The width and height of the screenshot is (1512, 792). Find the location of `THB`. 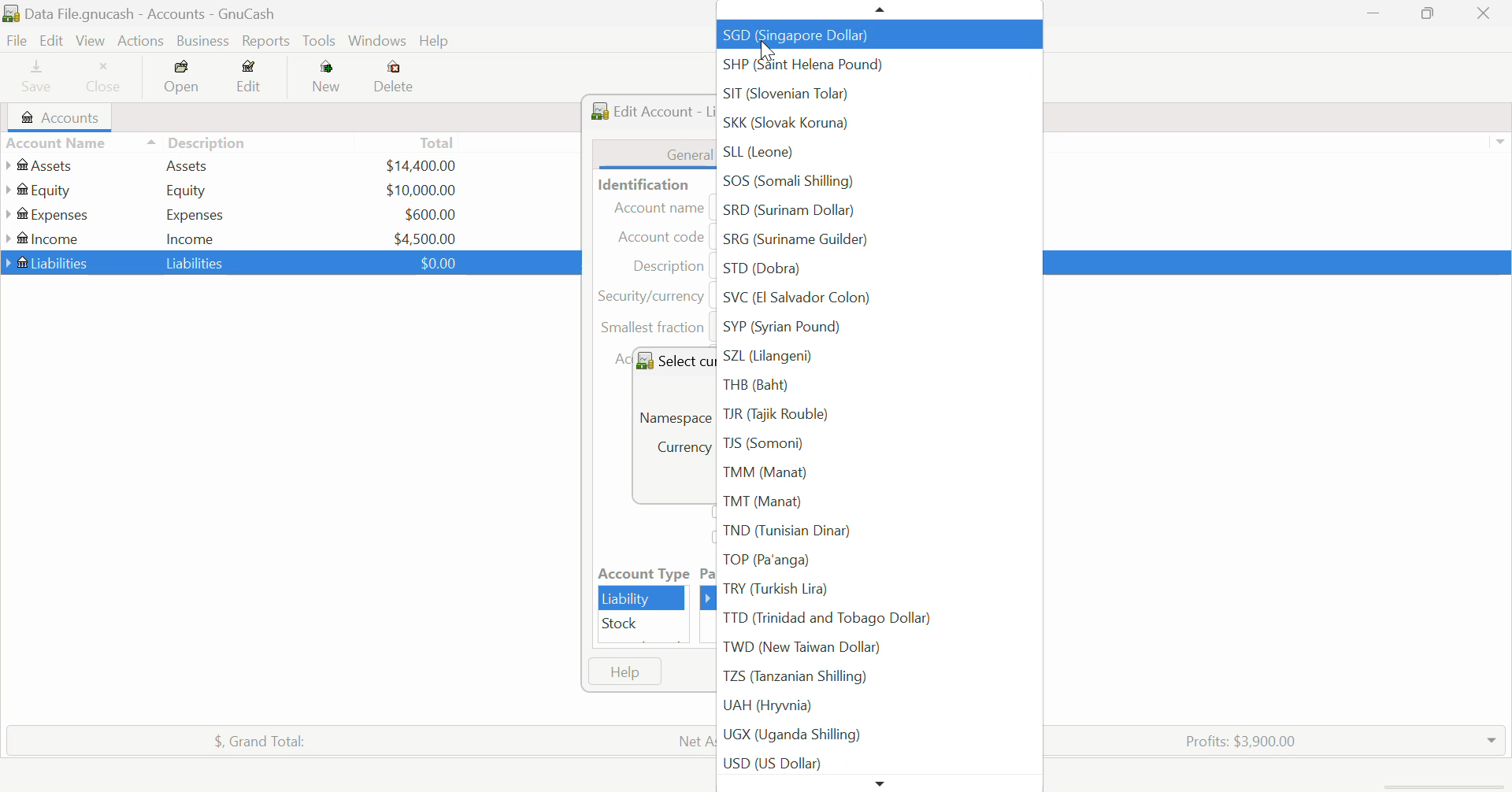

THB is located at coordinates (877, 387).